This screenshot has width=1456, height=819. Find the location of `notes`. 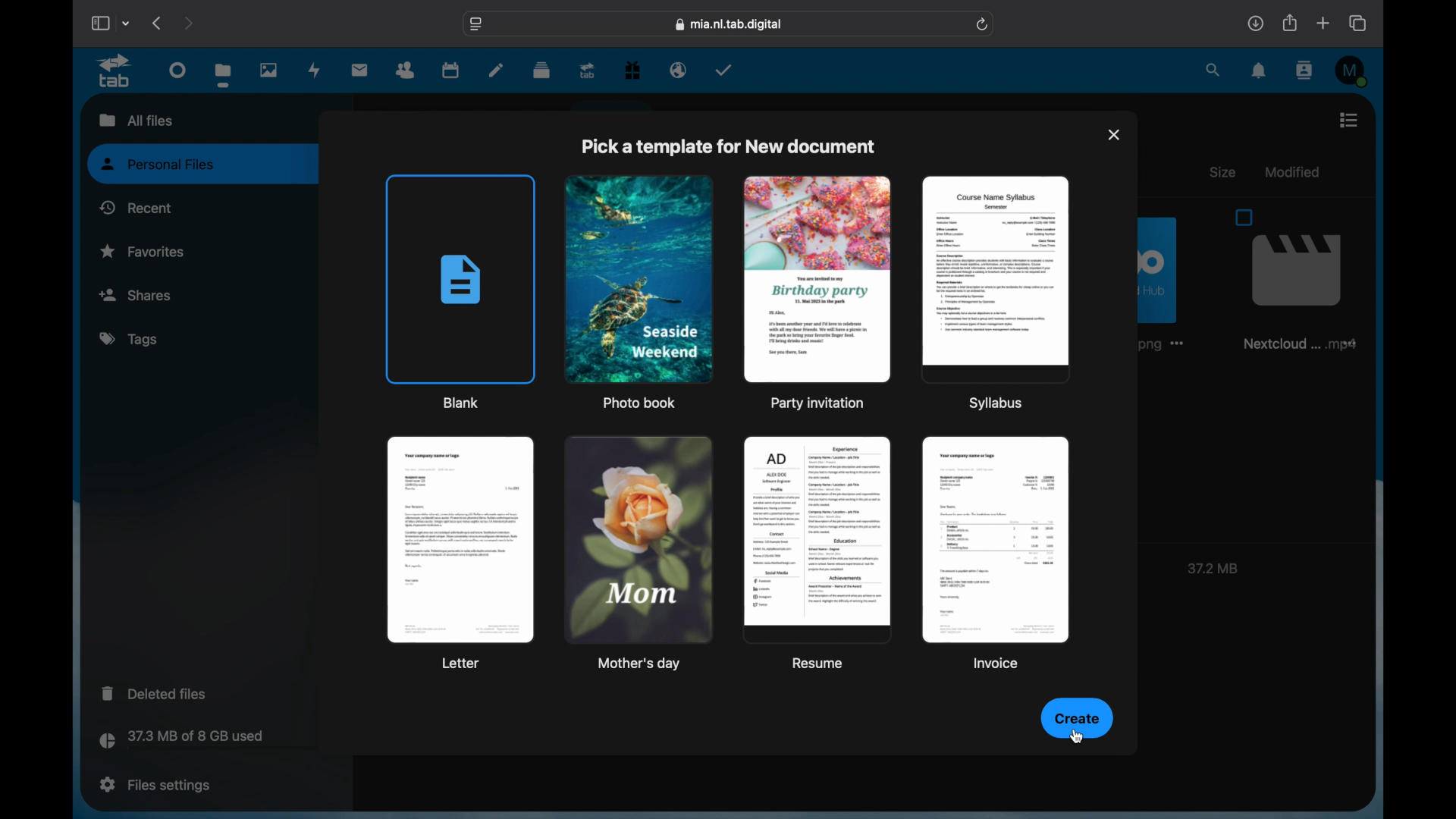

notes is located at coordinates (496, 69).